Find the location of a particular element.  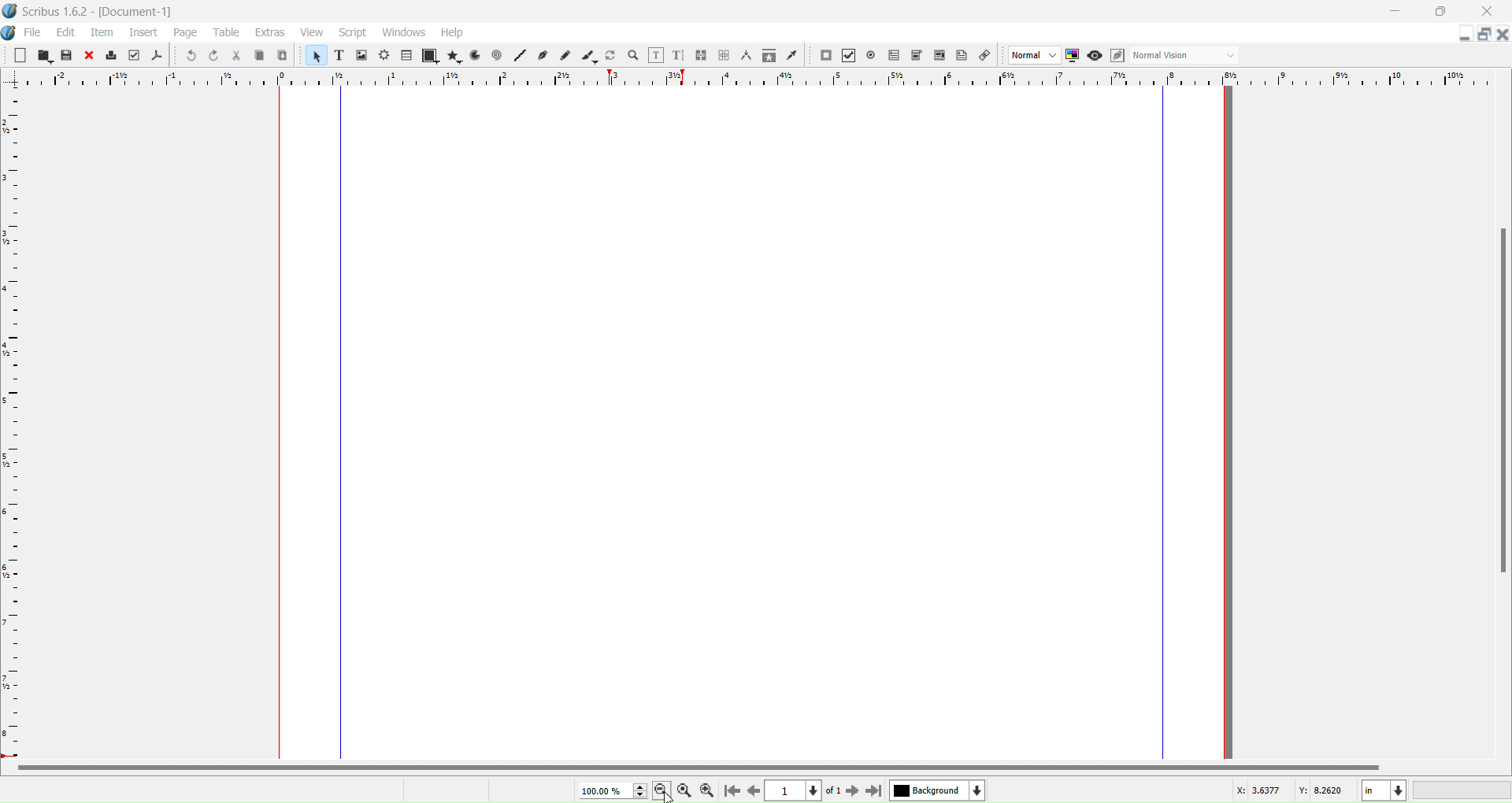

Freehand Line is located at coordinates (567, 56).